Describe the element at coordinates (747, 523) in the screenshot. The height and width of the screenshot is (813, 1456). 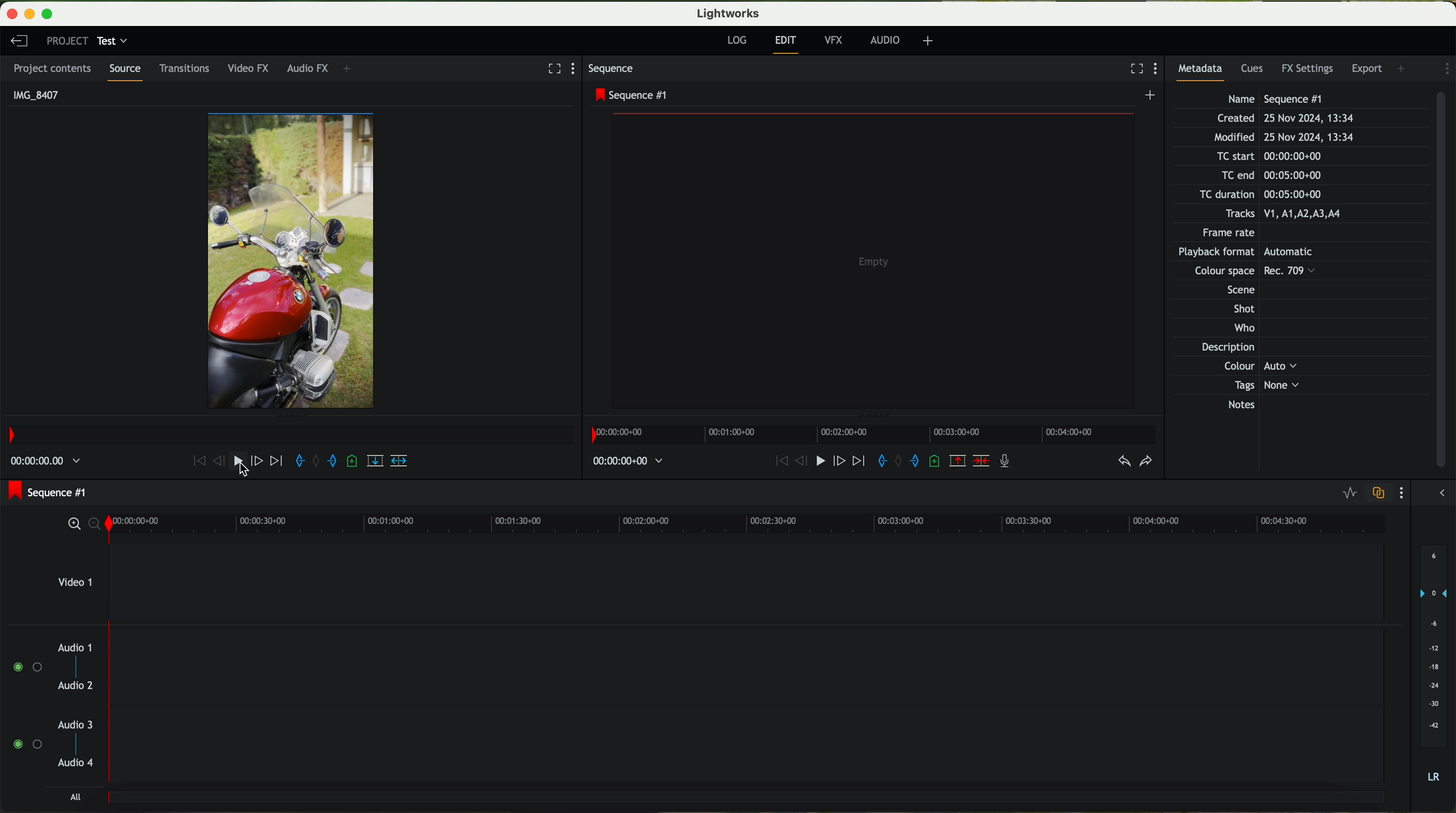
I see `timeline` at that location.